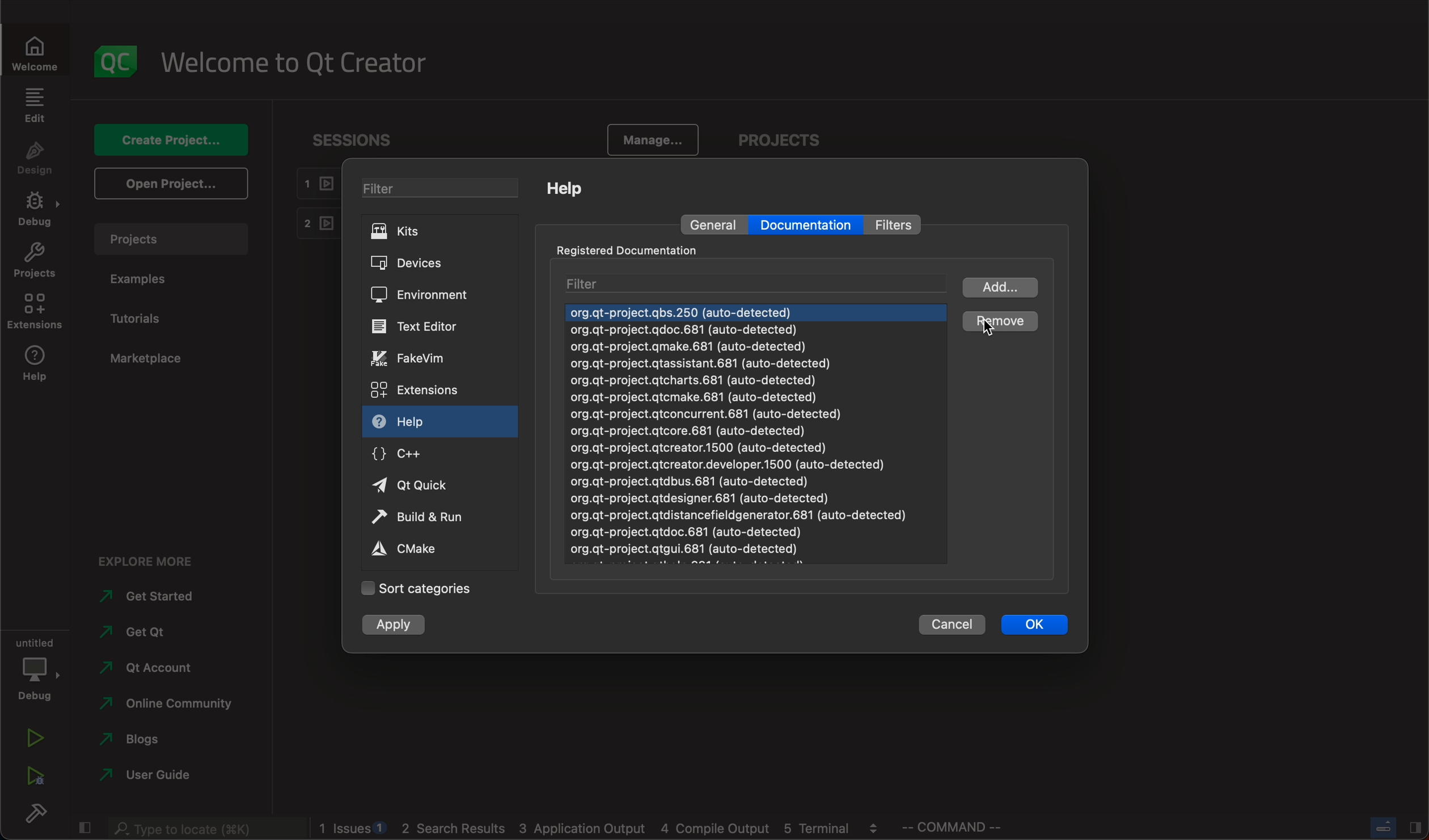 The height and width of the screenshot is (840, 1429). I want to click on apply, so click(398, 626).